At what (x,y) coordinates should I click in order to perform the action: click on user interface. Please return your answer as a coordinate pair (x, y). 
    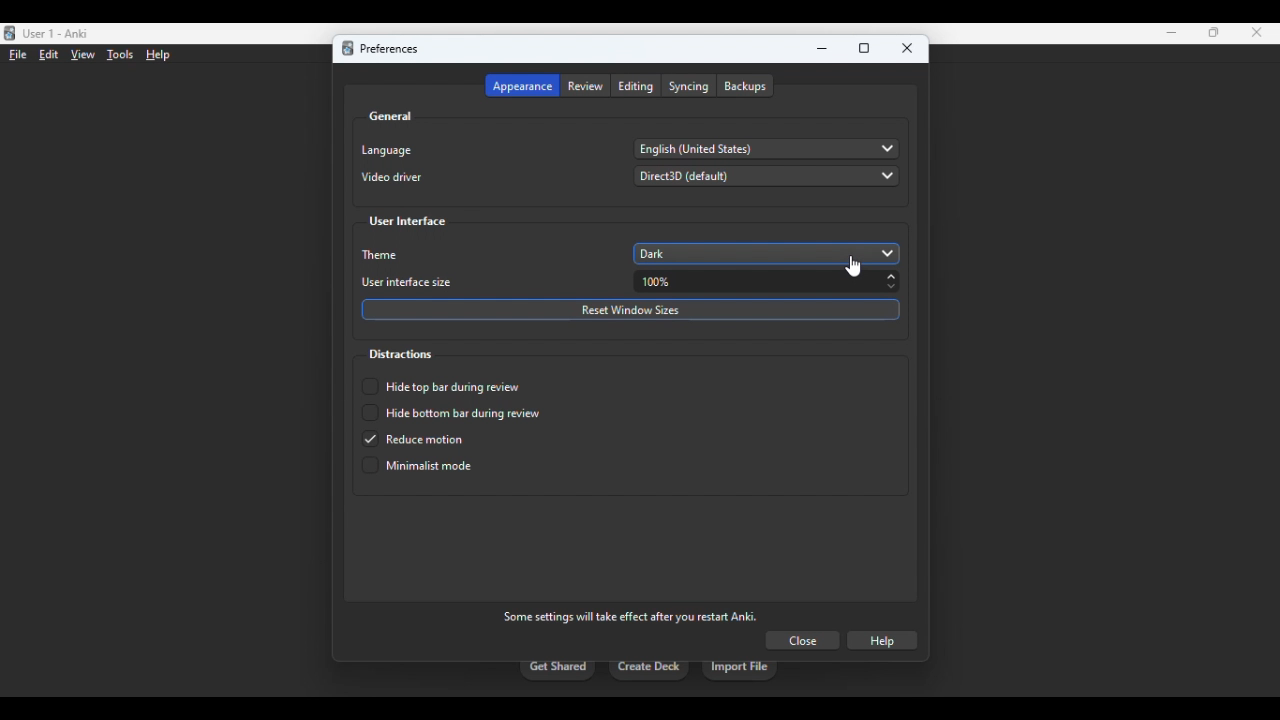
    Looking at the image, I should click on (408, 222).